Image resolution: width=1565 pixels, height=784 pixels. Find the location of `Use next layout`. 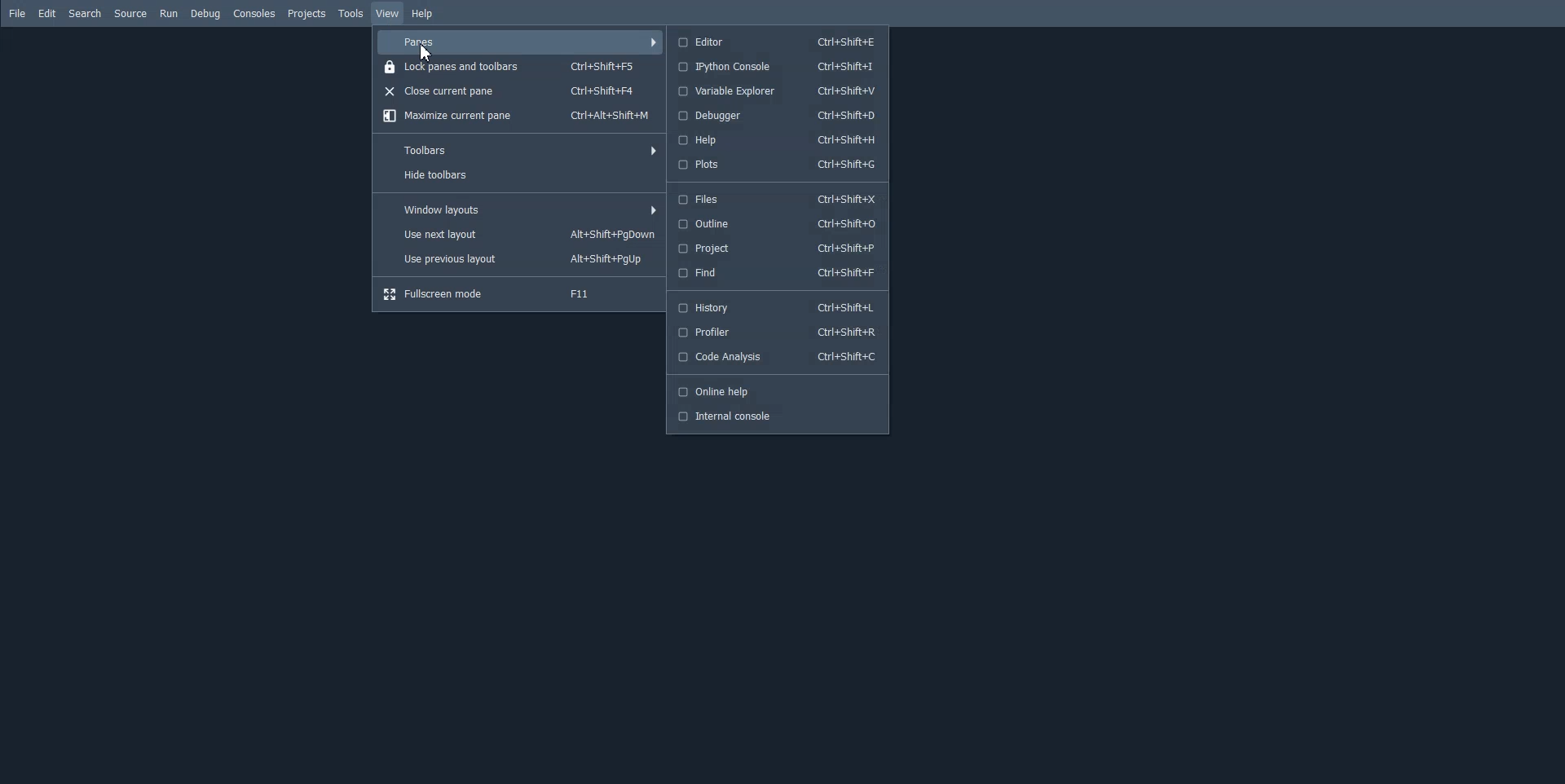

Use next layout is located at coordinates (519, 235).